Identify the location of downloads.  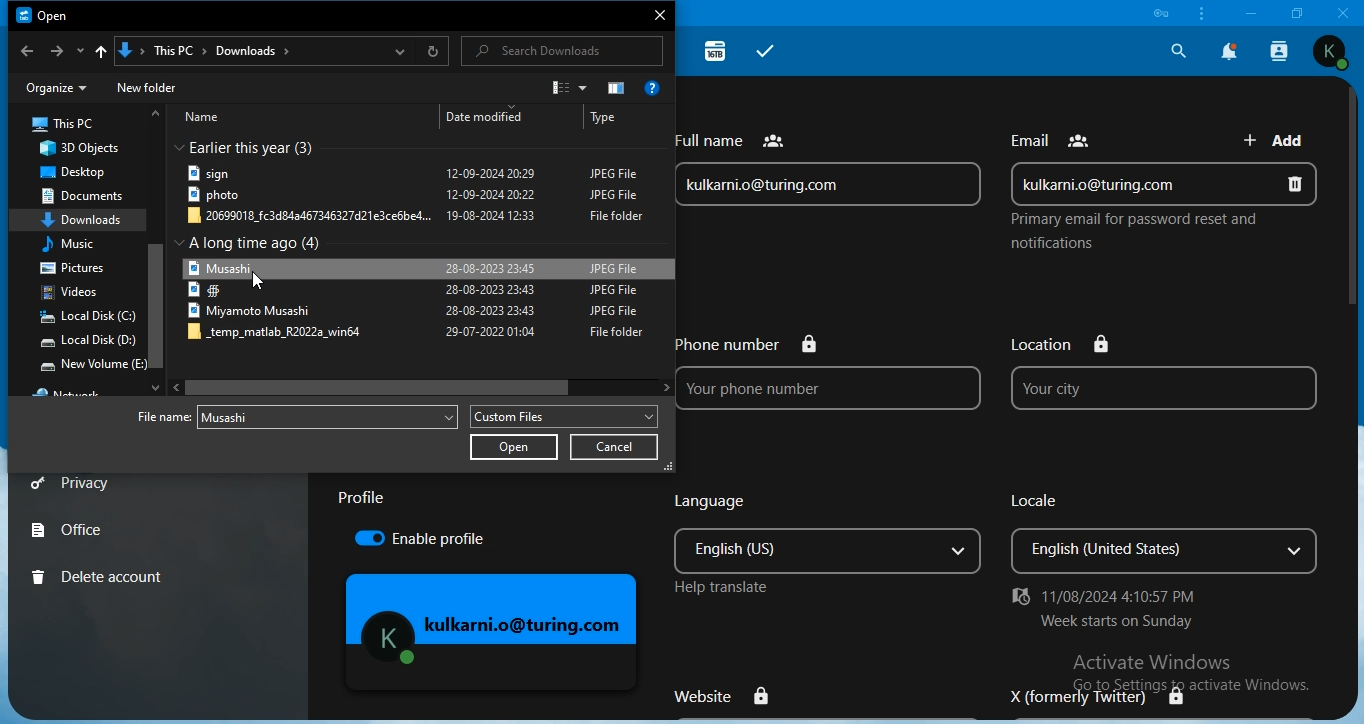
(84, 220).